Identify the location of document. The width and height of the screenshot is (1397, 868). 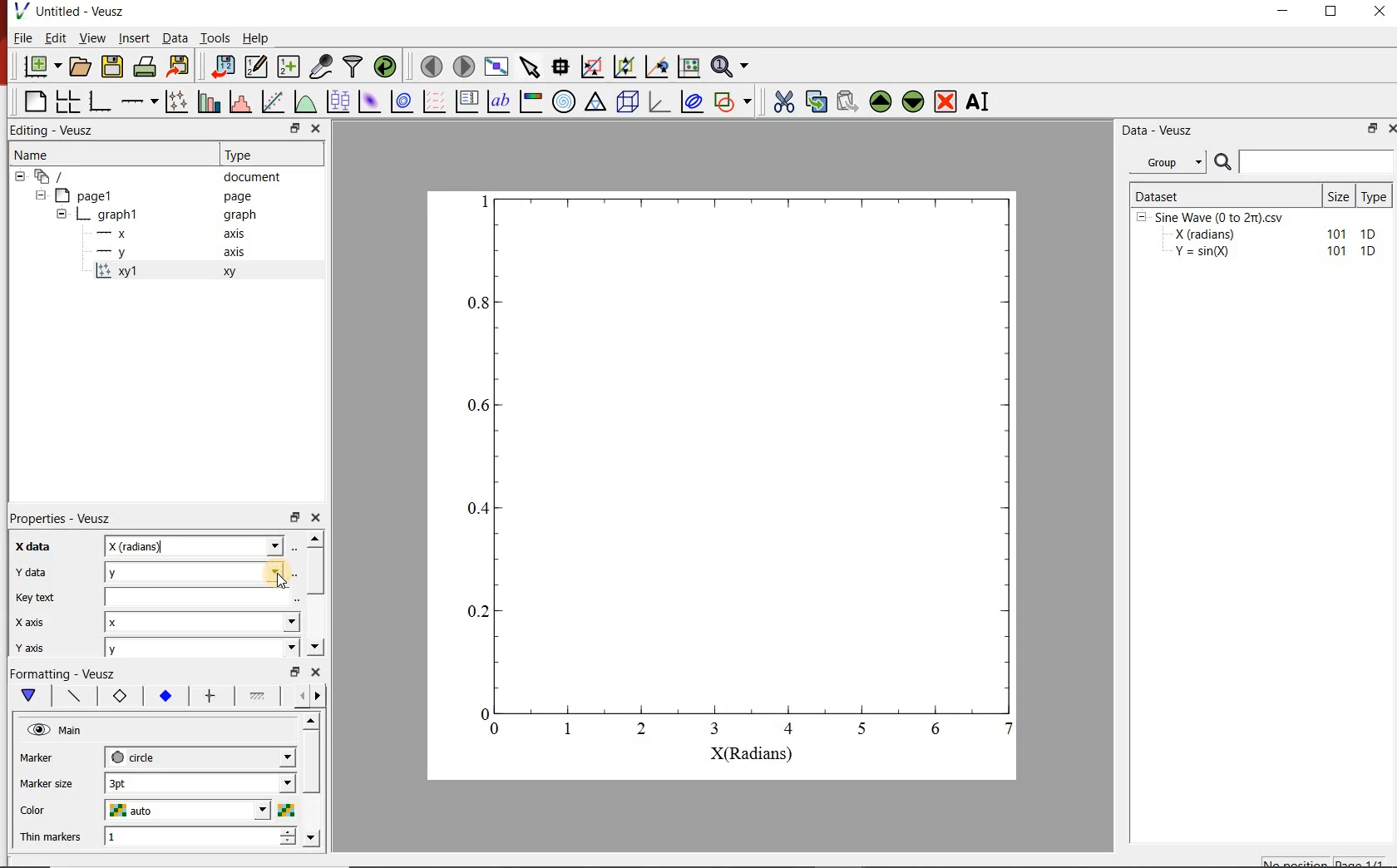
(253, 177).